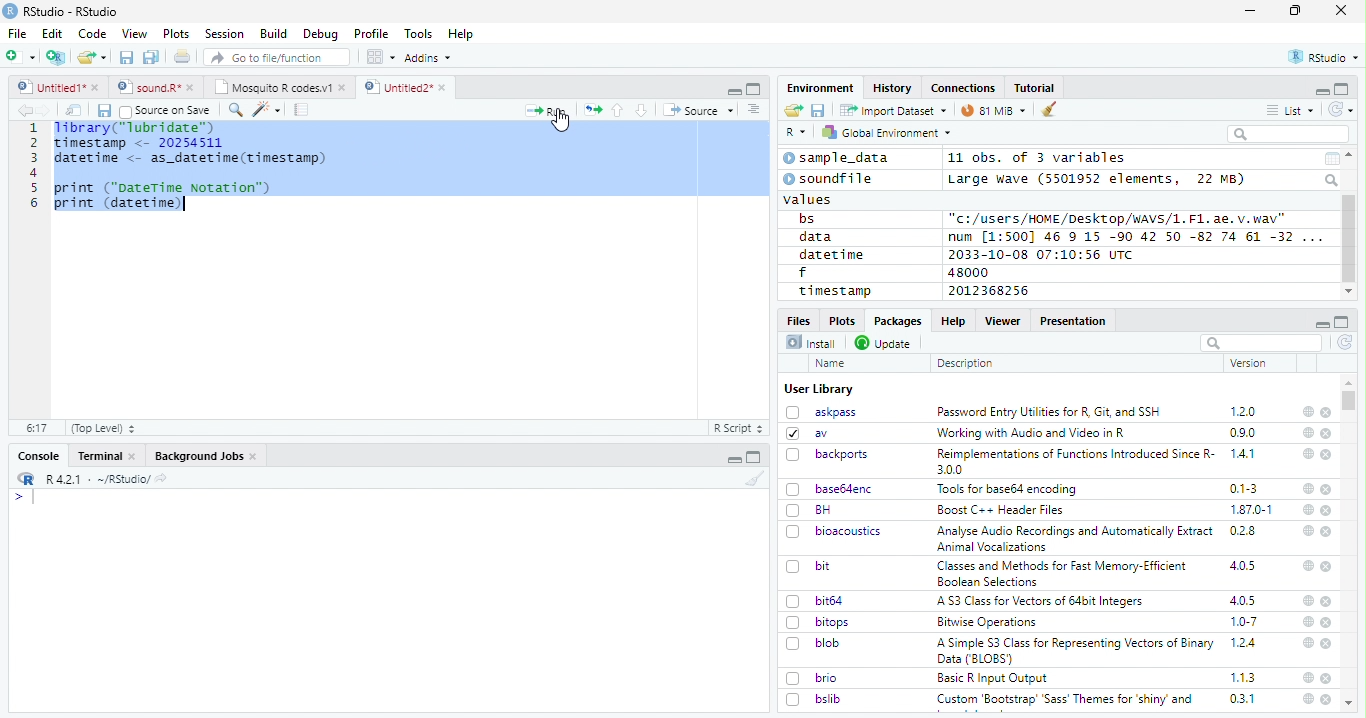  Describe the element at coordinates (1308, 677) in the screenshot. I see `help` at that location.